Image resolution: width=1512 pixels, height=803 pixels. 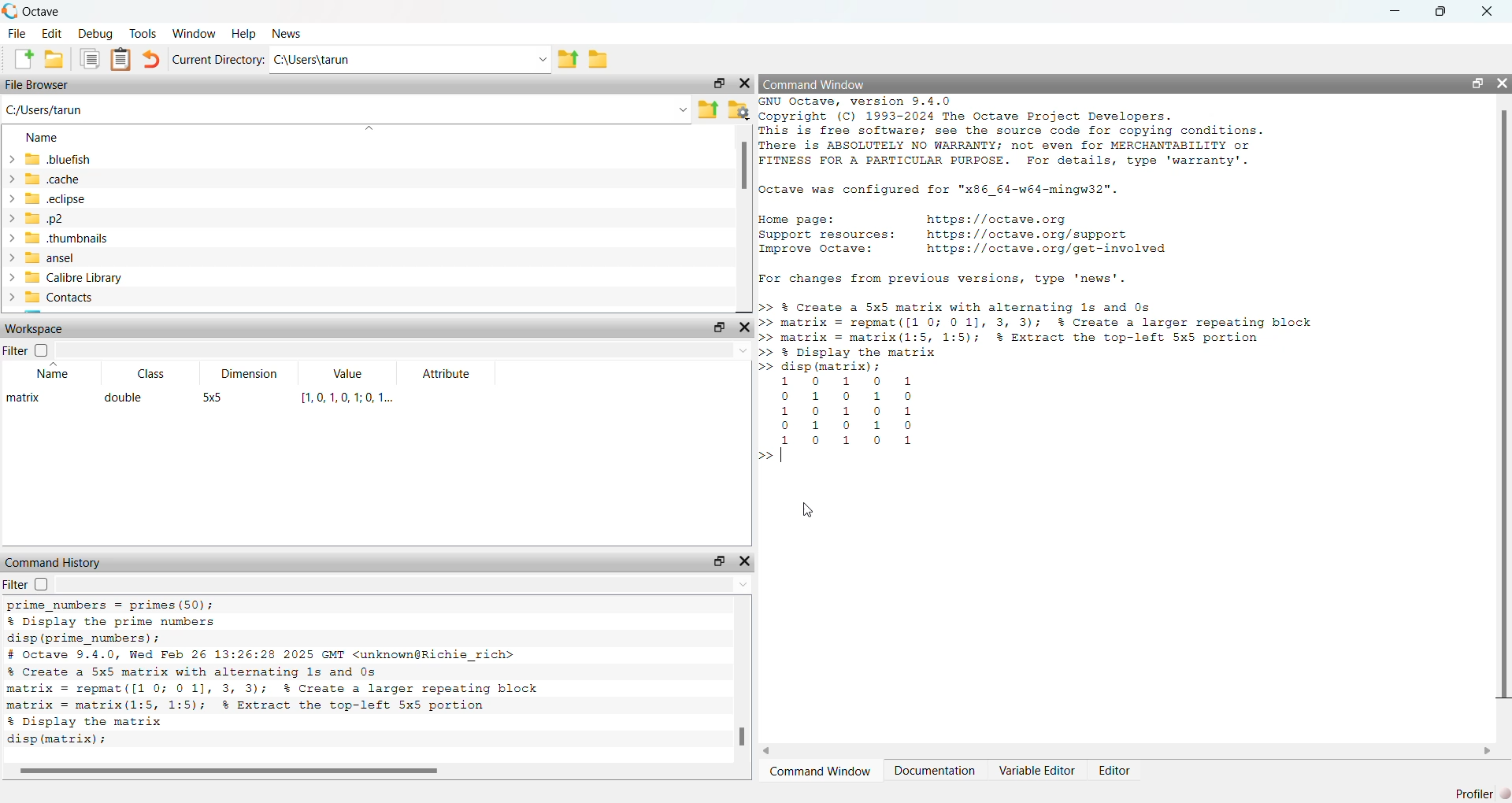 What do you see at coordinates (598, 61) in the screenshot?
I see `folder` at bounding box center [598, 61].